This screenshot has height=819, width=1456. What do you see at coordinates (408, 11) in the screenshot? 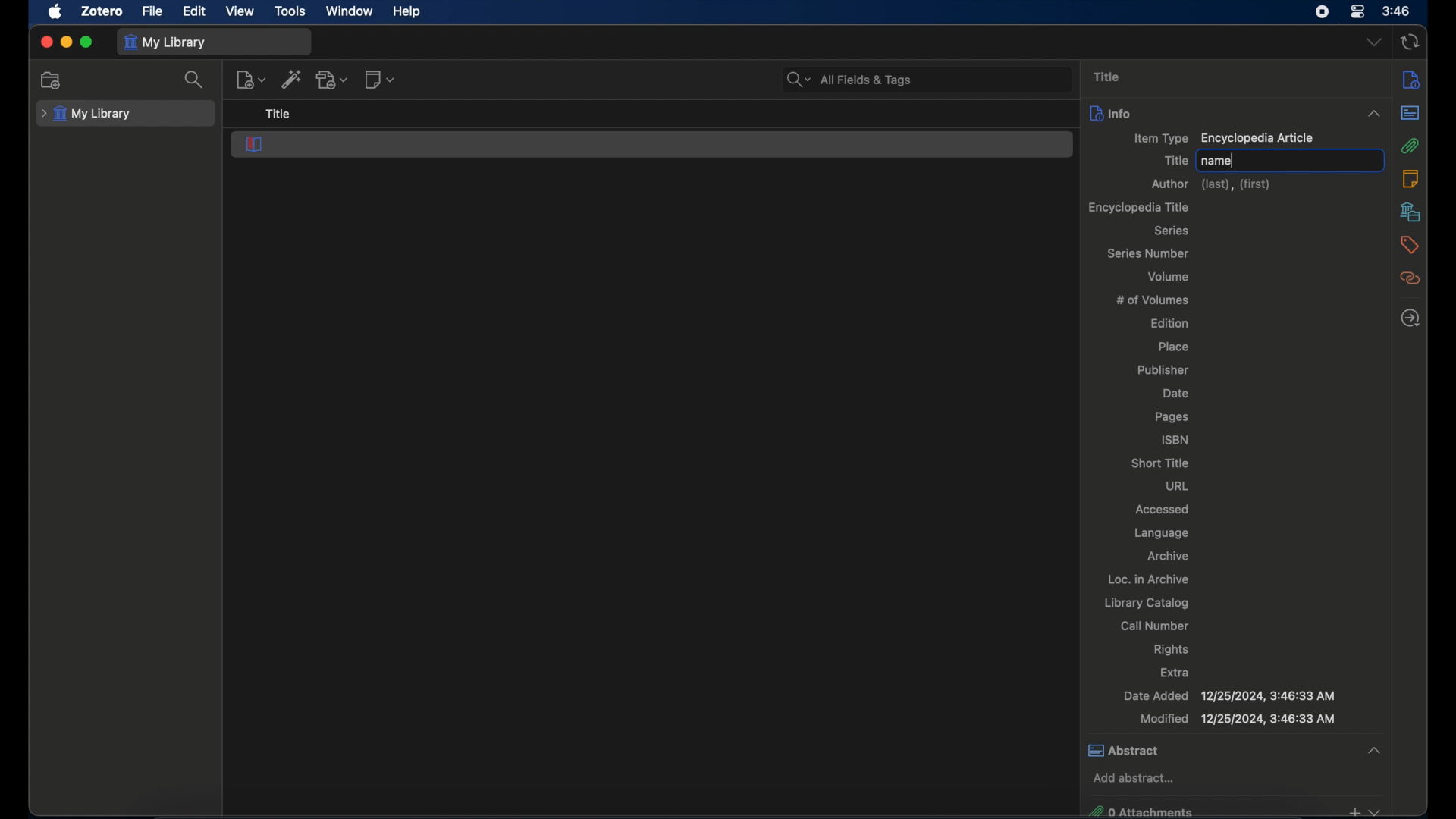
I see `help` at bounding box center [408, 11].